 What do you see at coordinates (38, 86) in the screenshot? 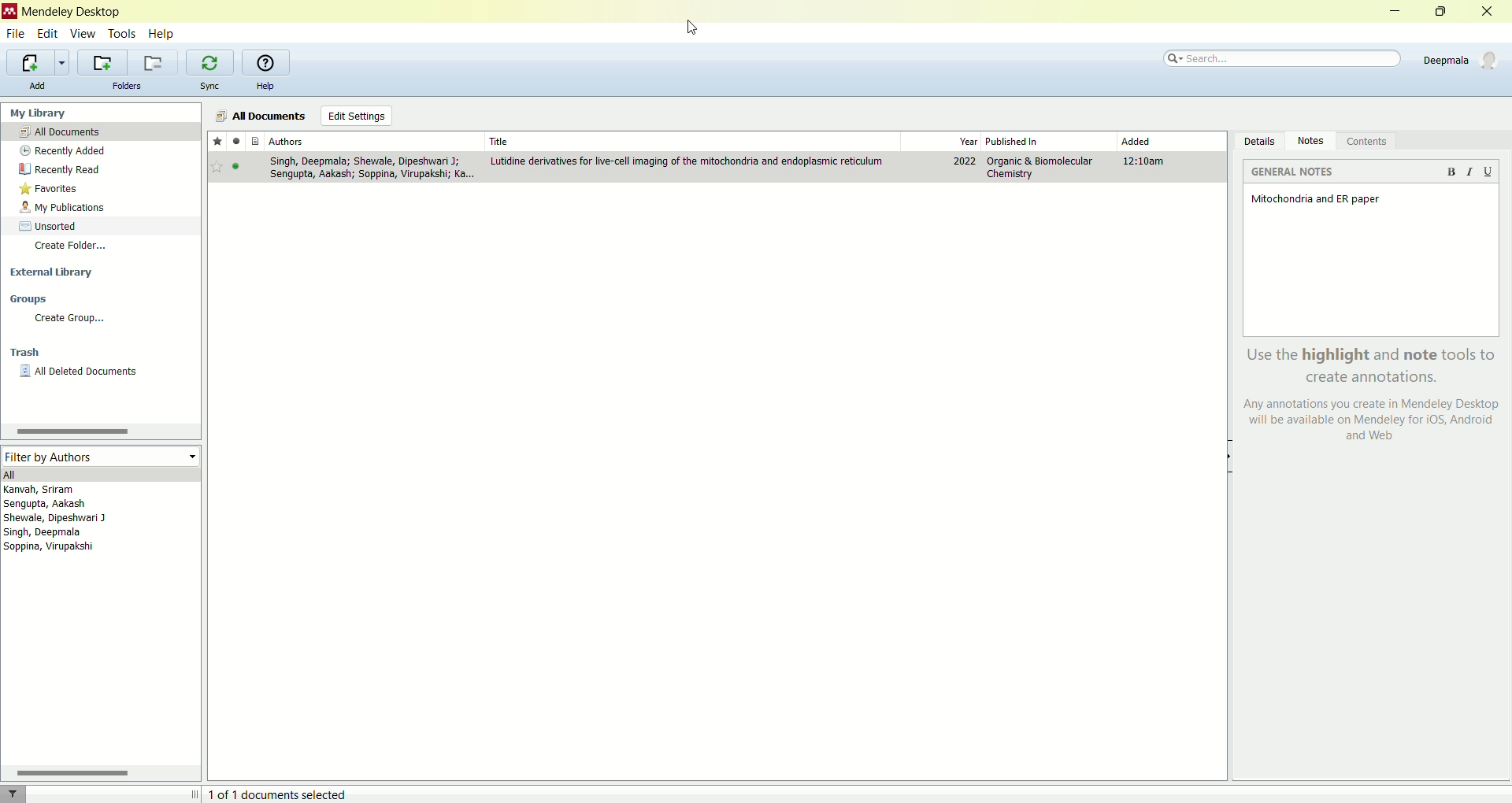
I see `add` at bounding box center [38, 86].